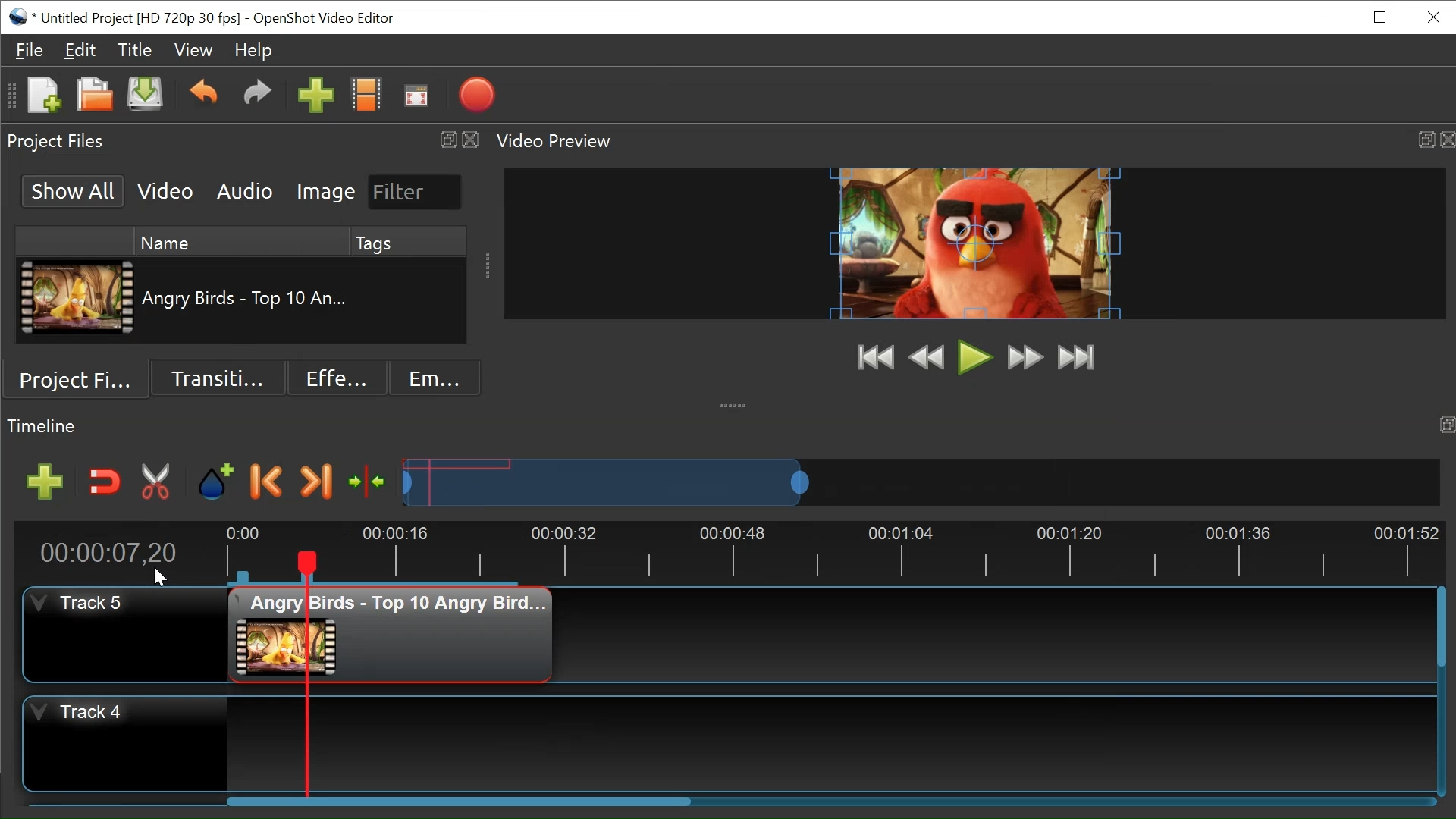 The height and width of the screenshot is (819, 1456). Describe the element at coordinates (1439, 626) in the screenshot. I see `Vertical Scroll bar` at that location.